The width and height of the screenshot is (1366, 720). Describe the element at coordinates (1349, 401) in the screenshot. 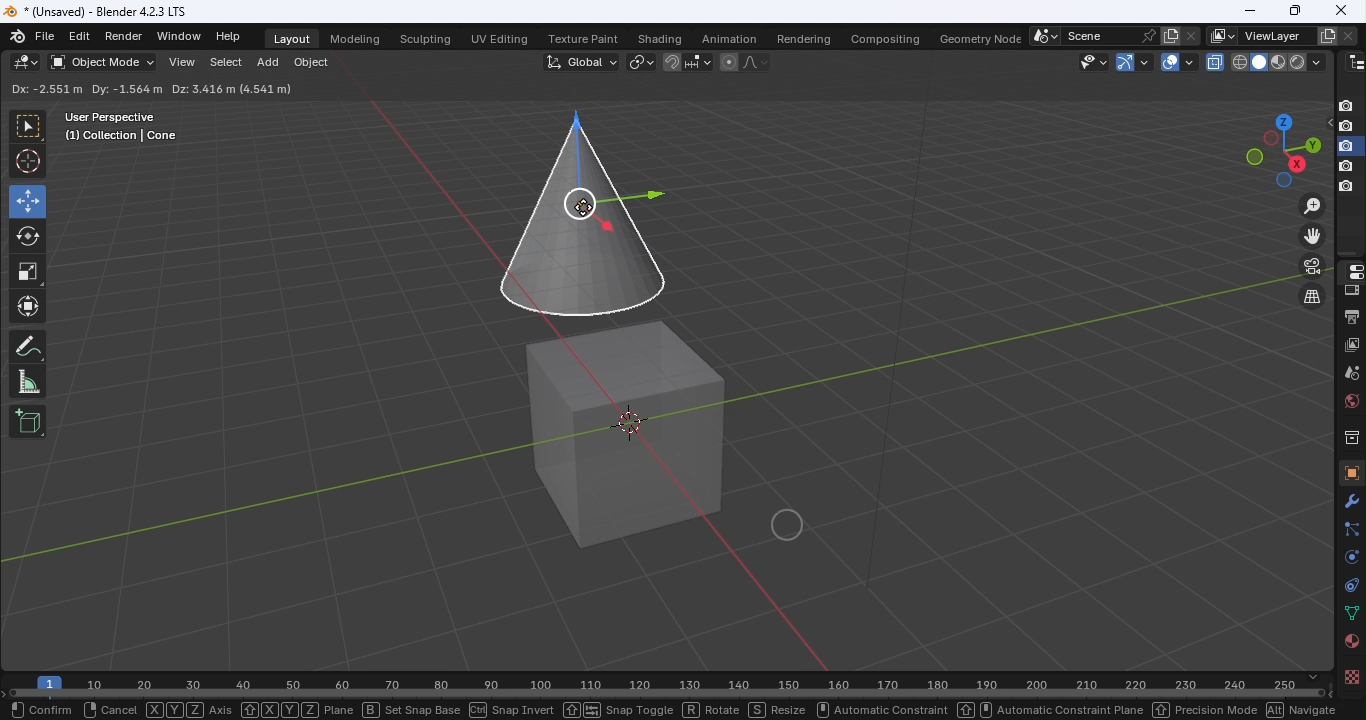

I see `World` at that location.